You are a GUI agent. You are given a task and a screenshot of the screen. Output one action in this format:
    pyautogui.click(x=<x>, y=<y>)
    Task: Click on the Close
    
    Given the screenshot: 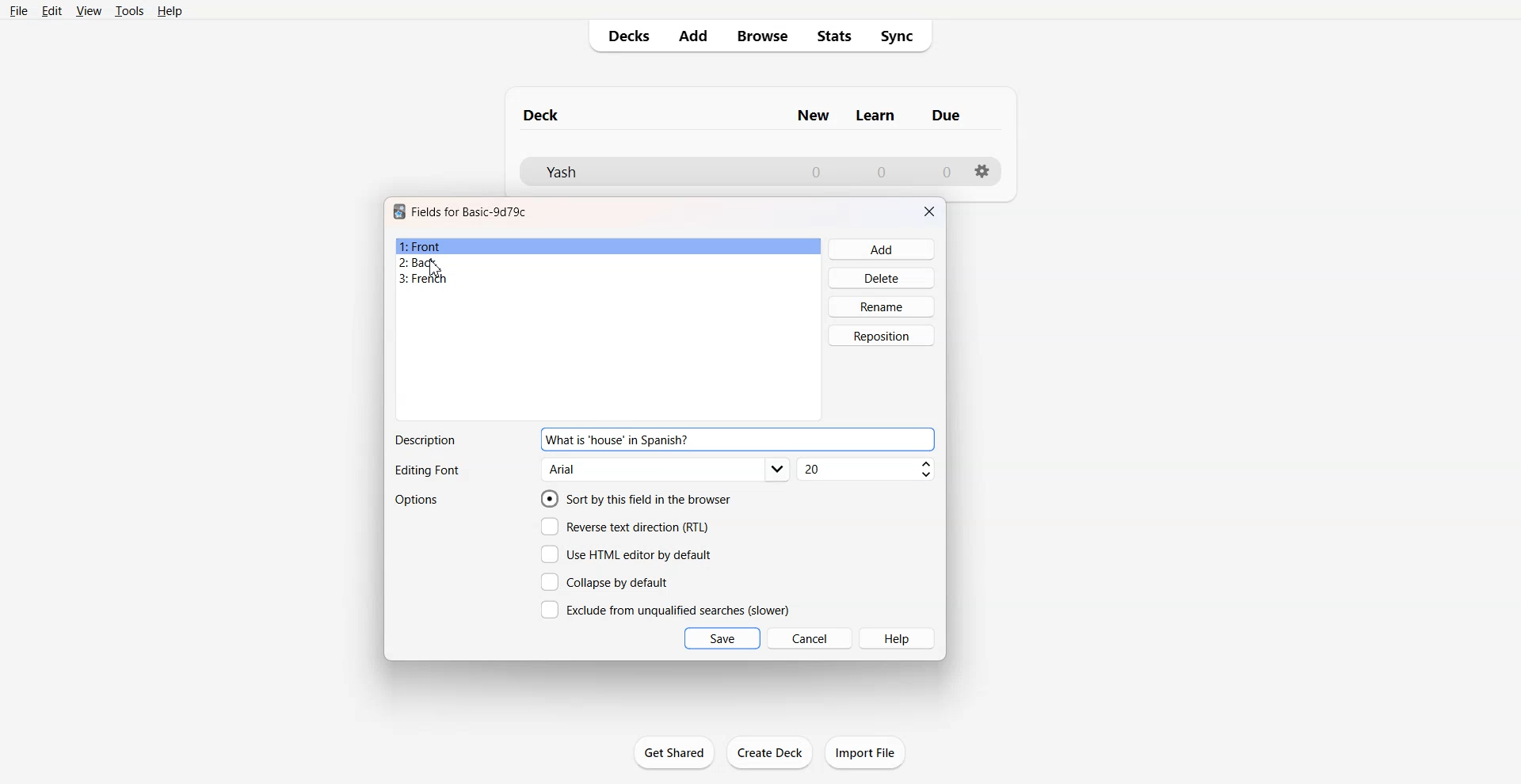 What is the action you would take?
    pyautogui.click(x=929, y=211)
    